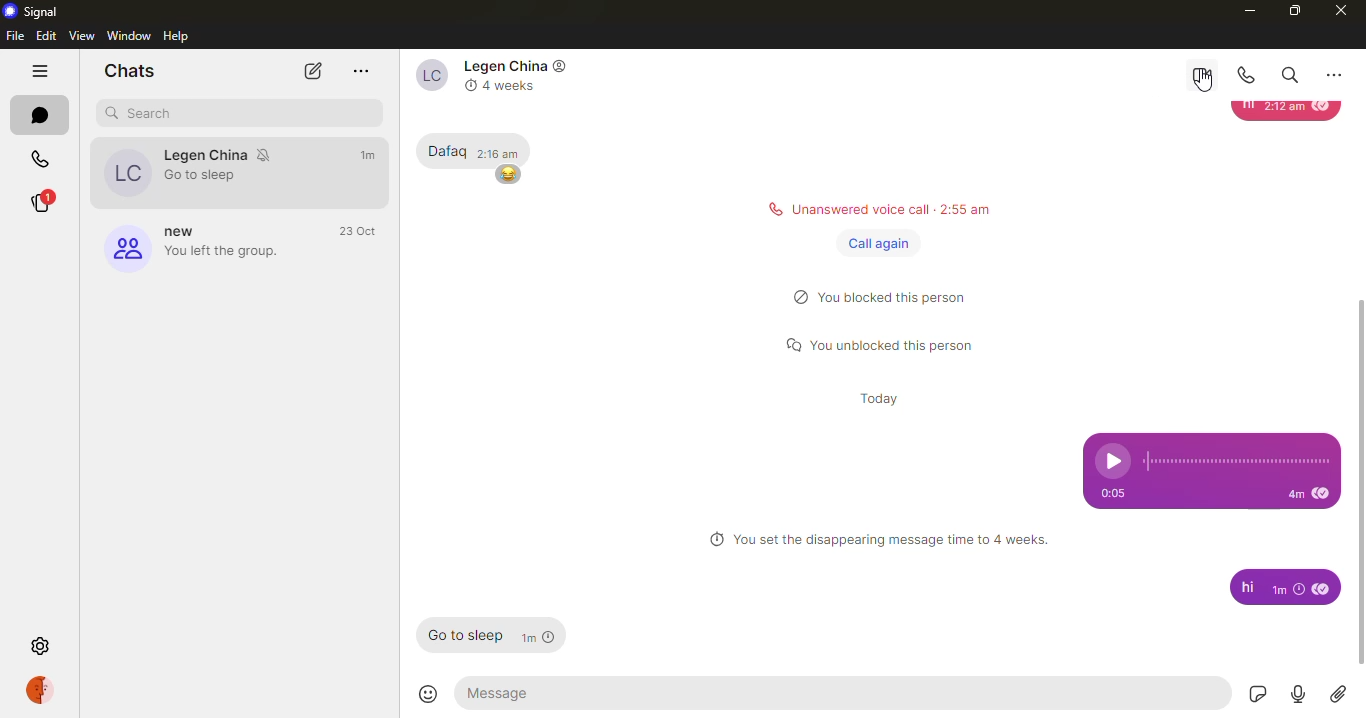  What do you see at coordinates (892, 539) in the screenshot?
I see `You set the disappearing message time to 4 weeks.` at bounding box center [892, 539].